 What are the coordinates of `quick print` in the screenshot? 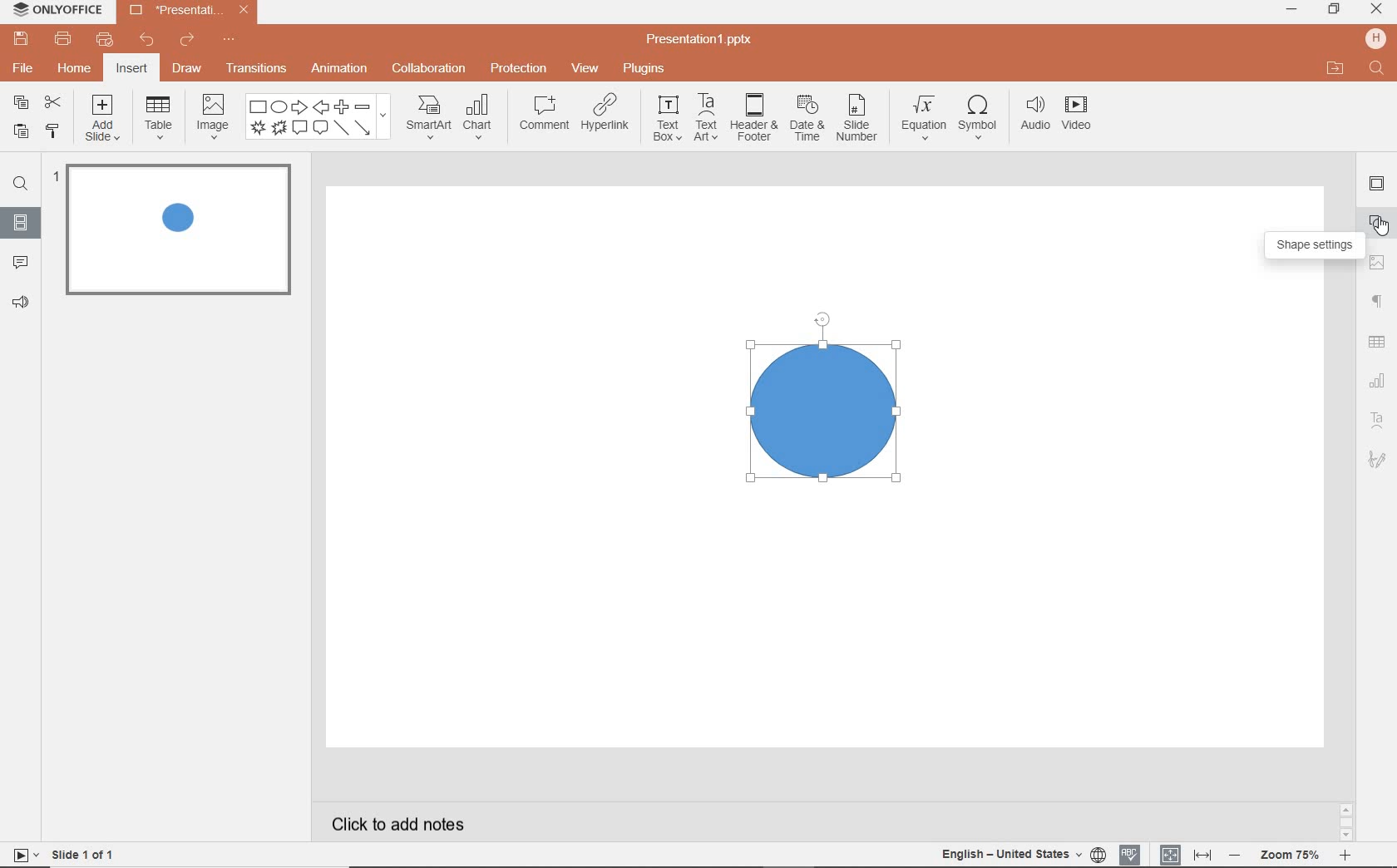 It's located at (108, 38).